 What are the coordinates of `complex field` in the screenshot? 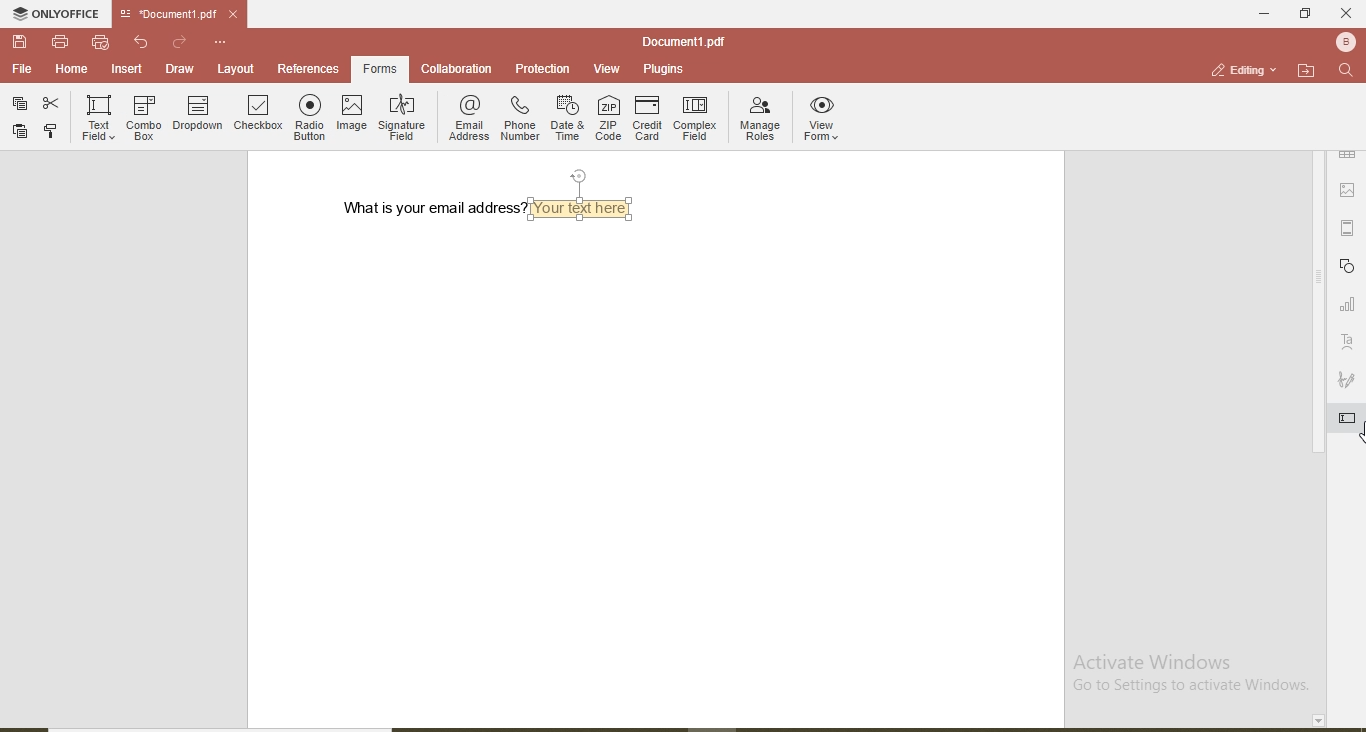 It's located at (699, 118).